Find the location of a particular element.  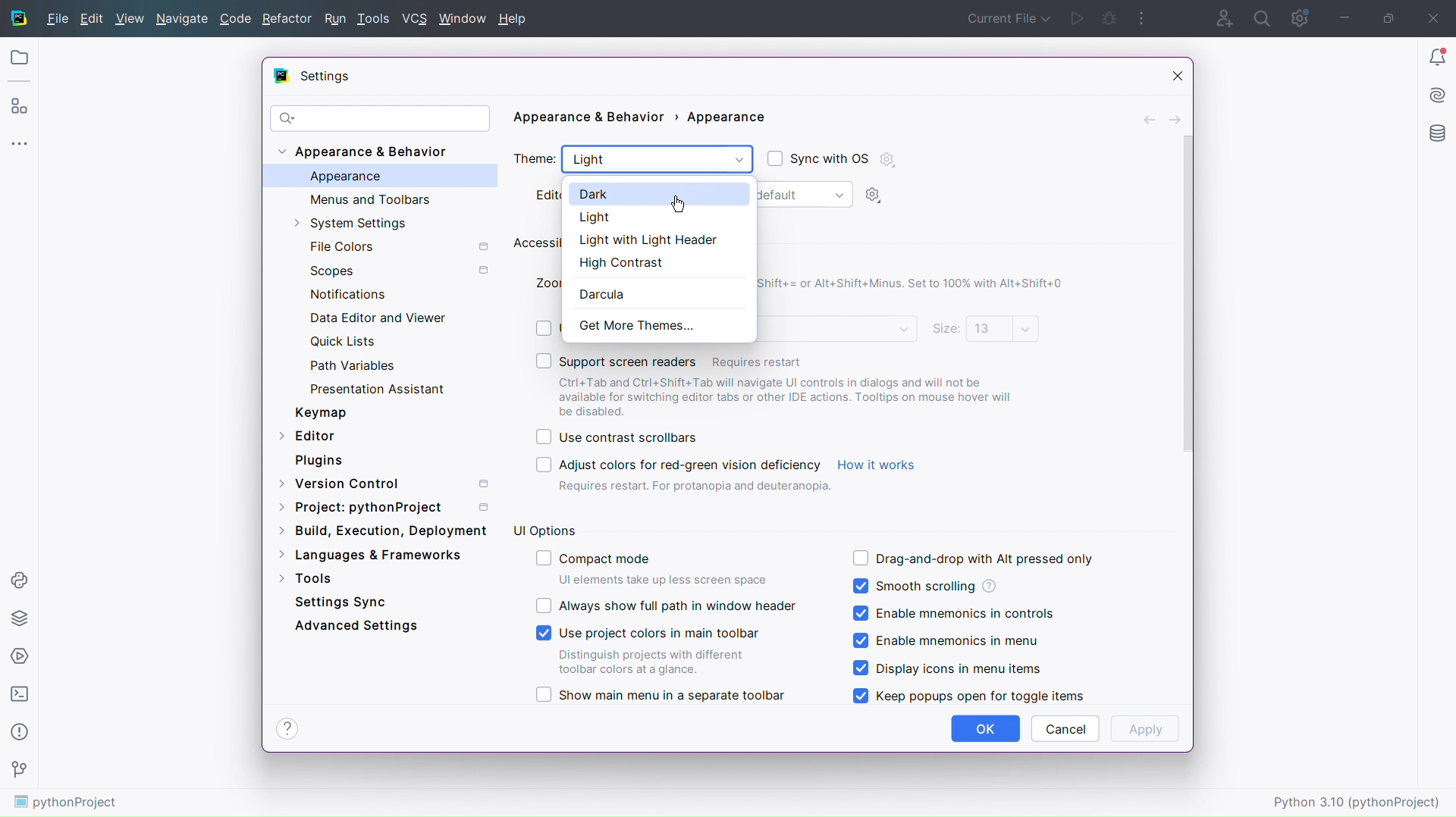

File Colors is located at coordinates (397, 246).